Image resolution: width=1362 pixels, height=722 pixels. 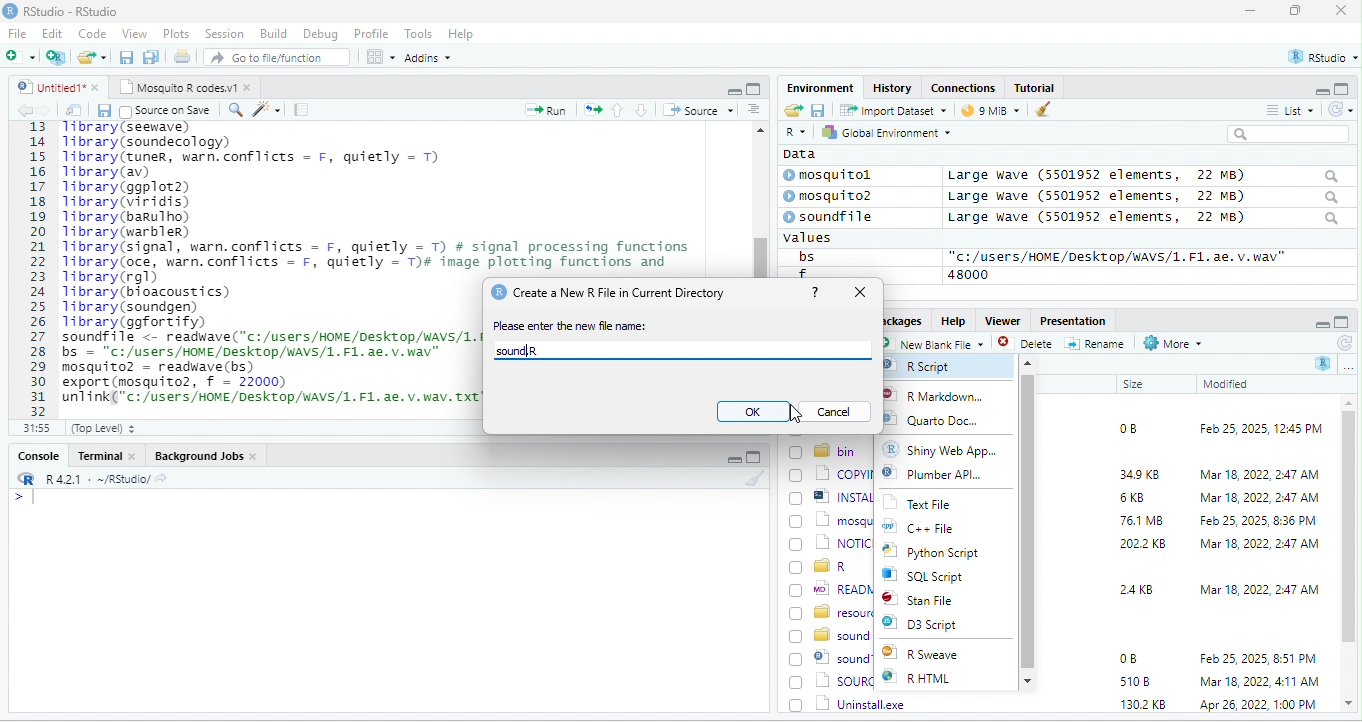 I want to click on cursor, so click(x=783, y=412).